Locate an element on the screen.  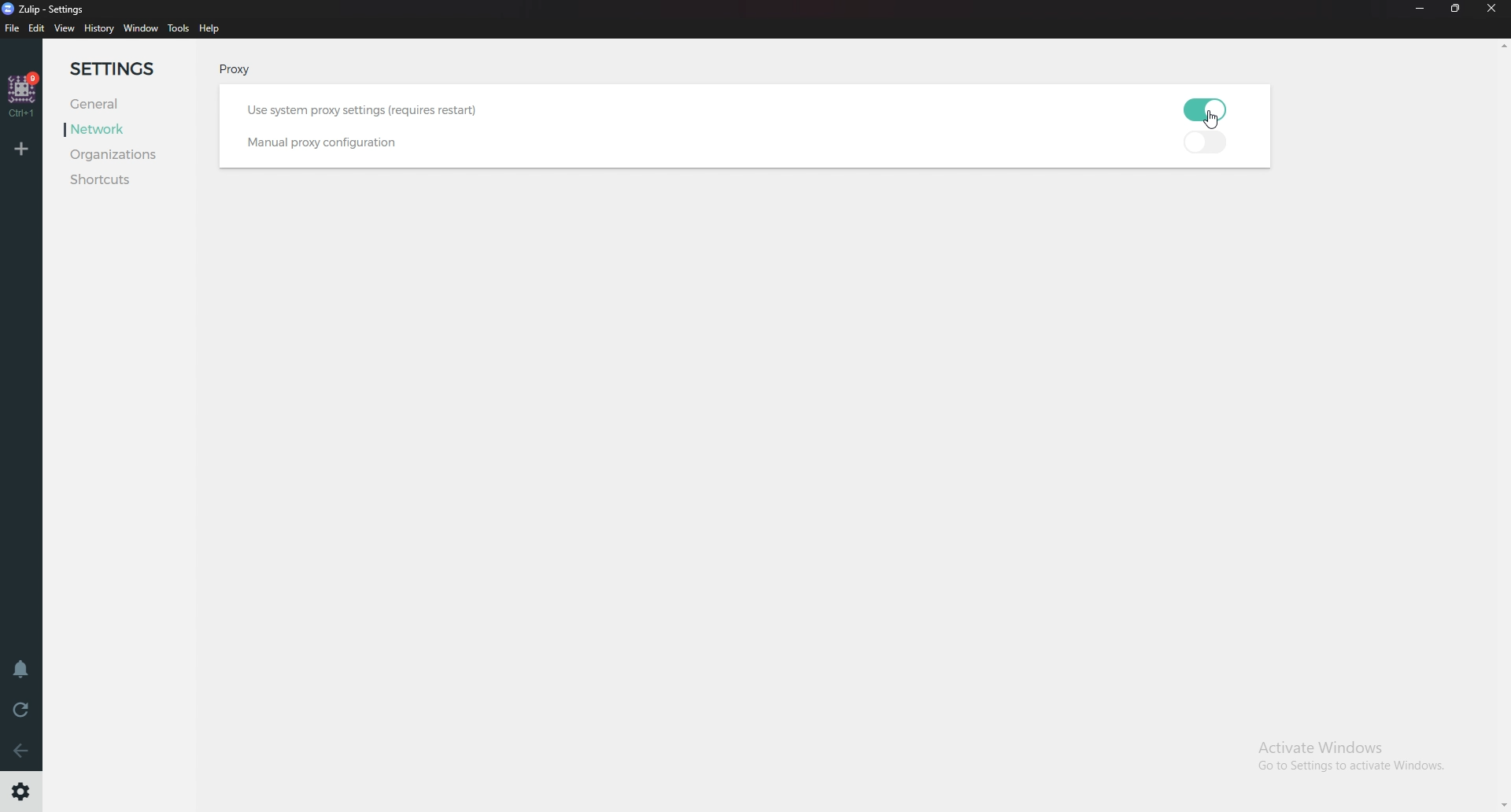
Minimize is located at coordinates (1420, 8).